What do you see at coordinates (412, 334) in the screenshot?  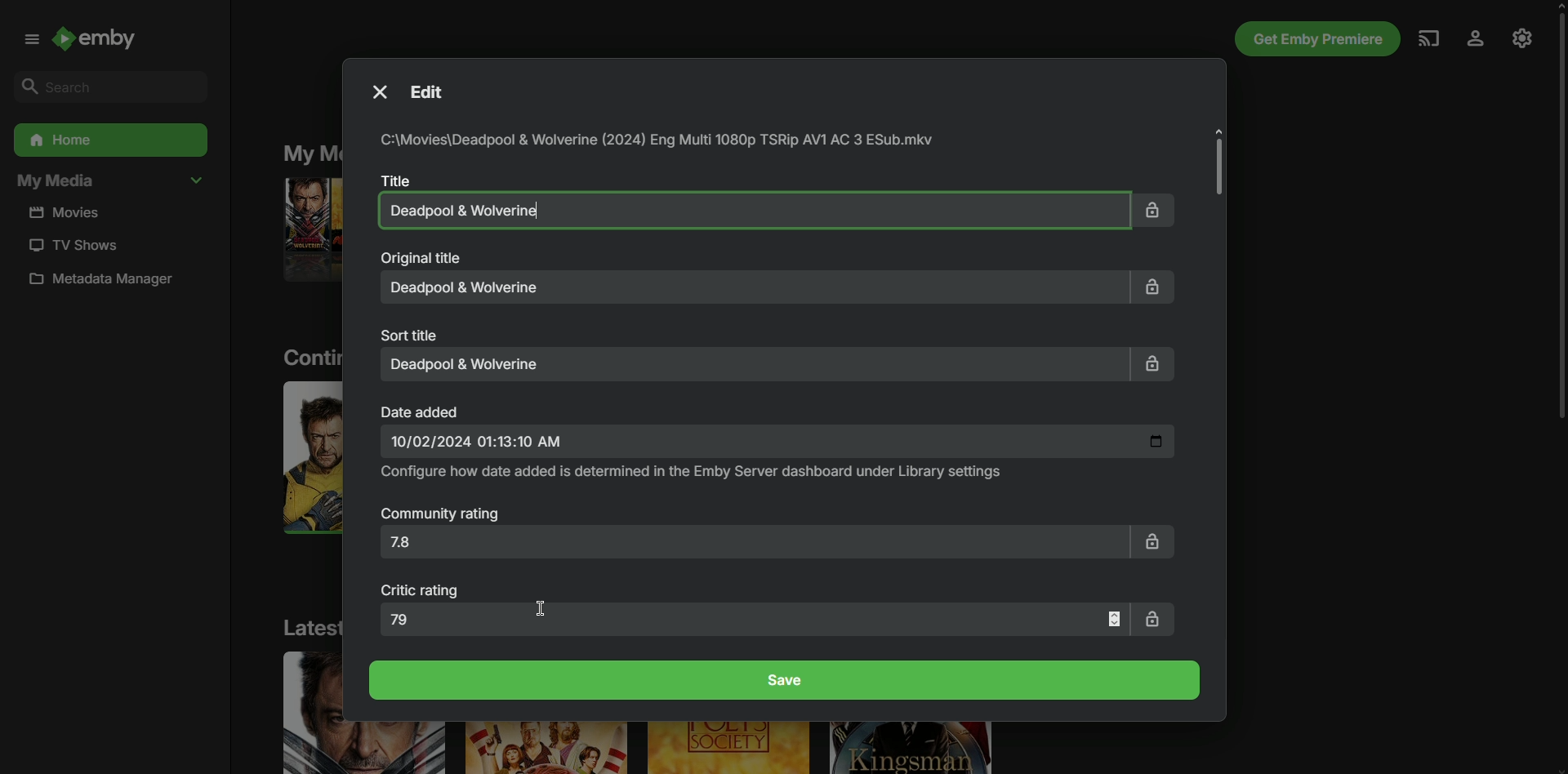 I see `Sort title` at bounding box center [412, 334].